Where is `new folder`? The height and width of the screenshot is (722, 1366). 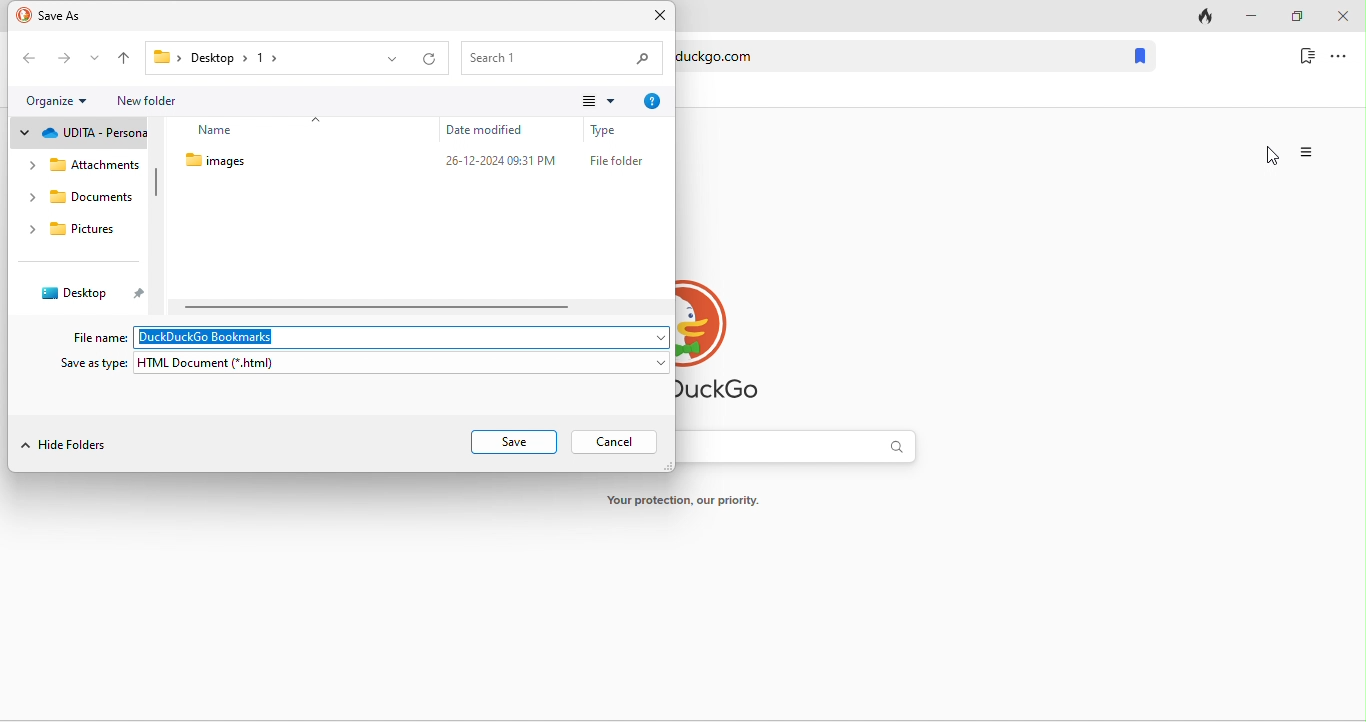
new folder is located at coordinates (152, 100).